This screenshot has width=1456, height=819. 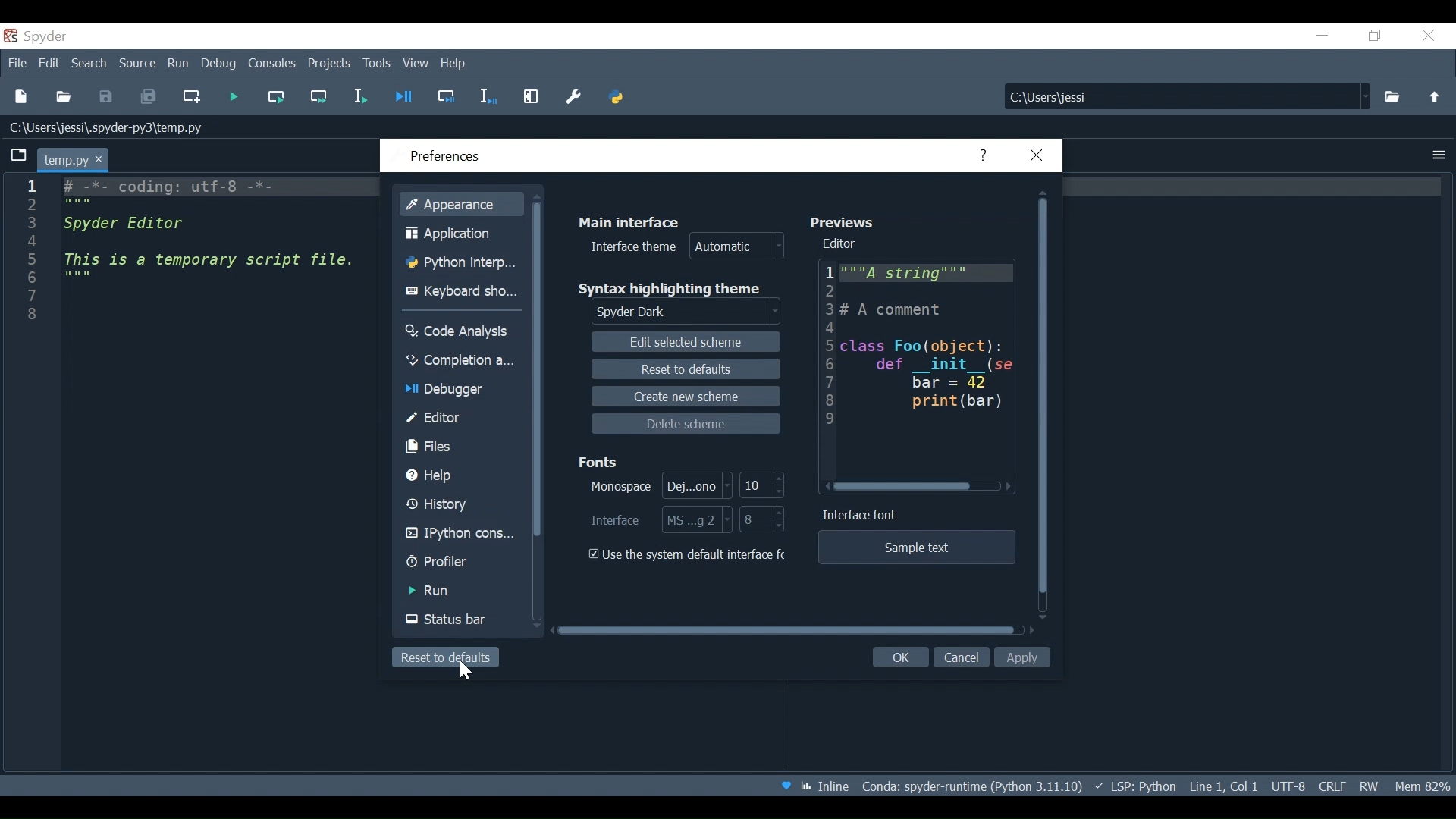 What do you see at coordinates (686, 342) in the screenshot?
I see `Edit selected scheme` at bounding box center [686, 342].